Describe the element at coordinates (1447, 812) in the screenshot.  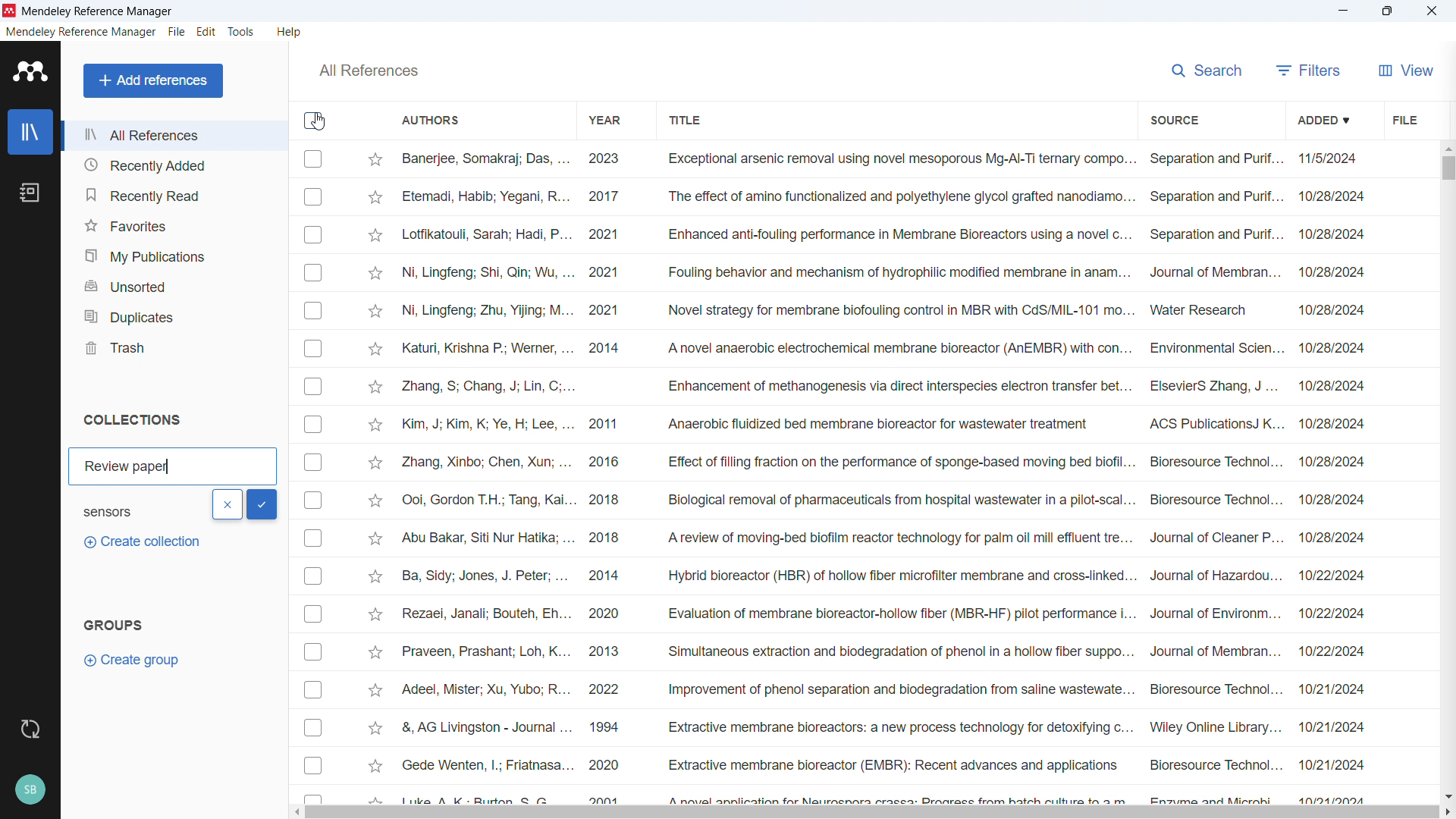
I see `Scroll right ` at that location.